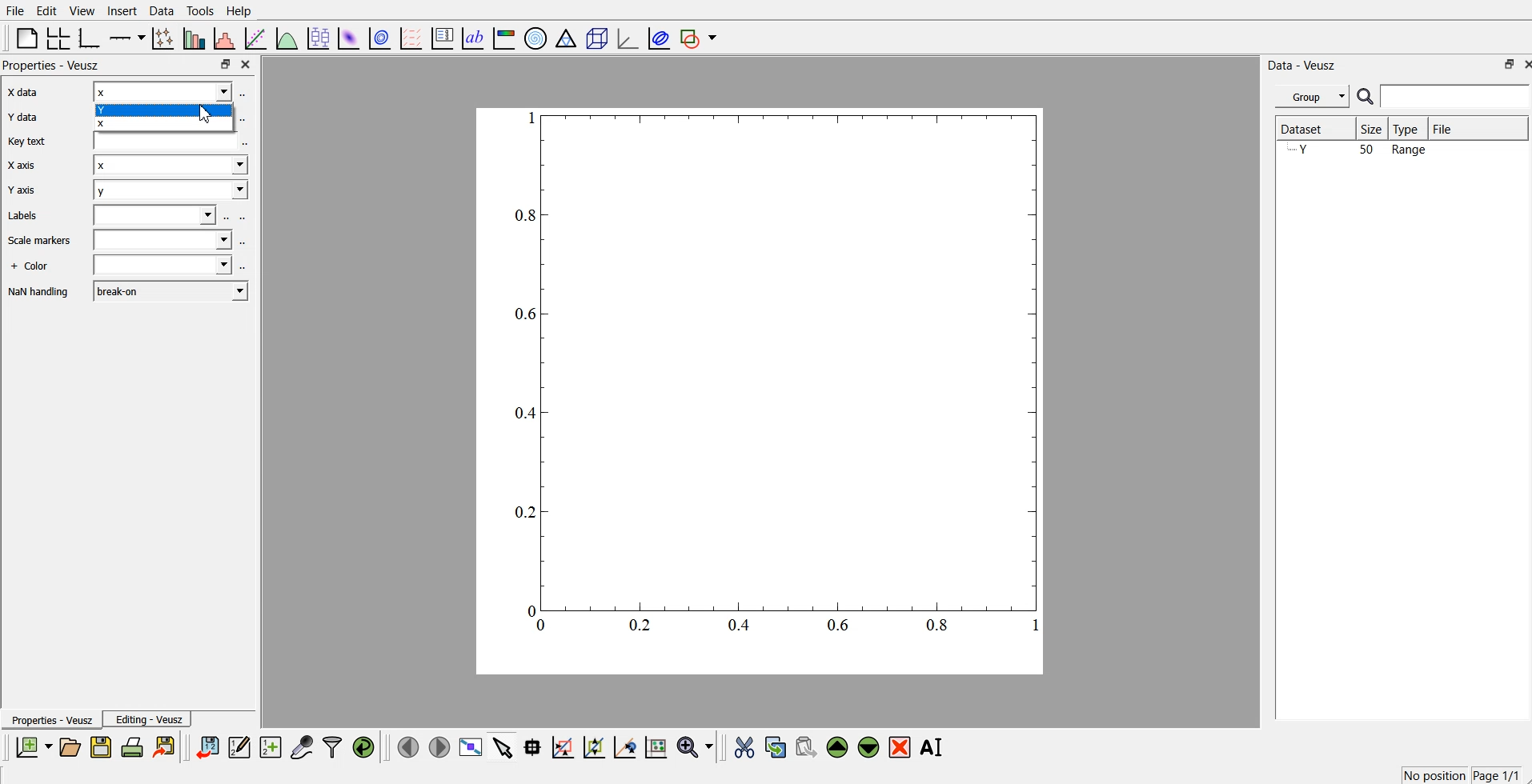 The width and height of the screenshot is (1532, 784). What do you see at coordinates (240, 748) in the screenshot?
I see `edit and enter datapoints` at bounding box center [240, 748].